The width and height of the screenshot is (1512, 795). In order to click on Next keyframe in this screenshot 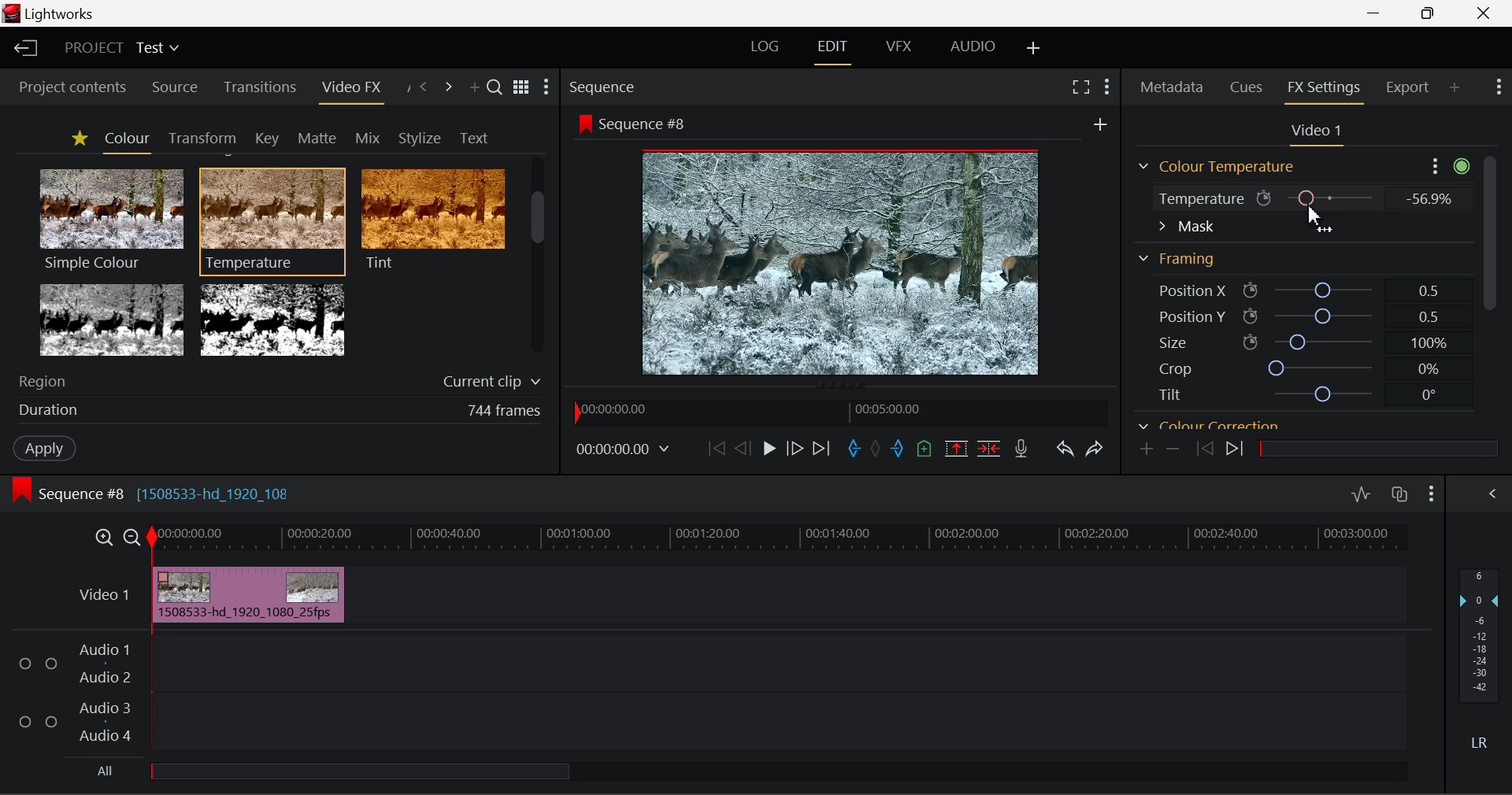, I will do `click(1236, 451)`.